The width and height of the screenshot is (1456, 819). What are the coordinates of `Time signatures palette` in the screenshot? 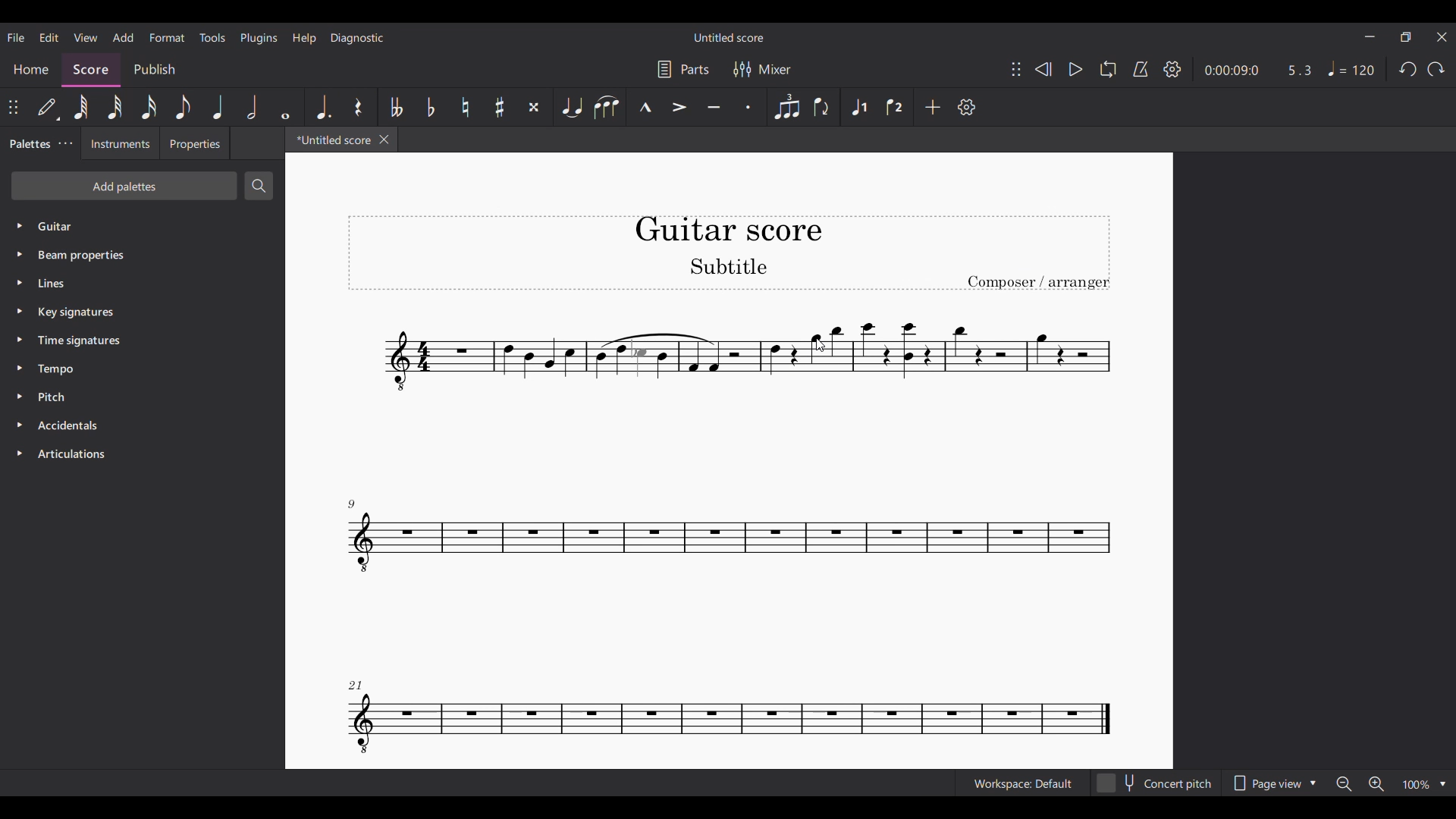 It's located at (79, 340).